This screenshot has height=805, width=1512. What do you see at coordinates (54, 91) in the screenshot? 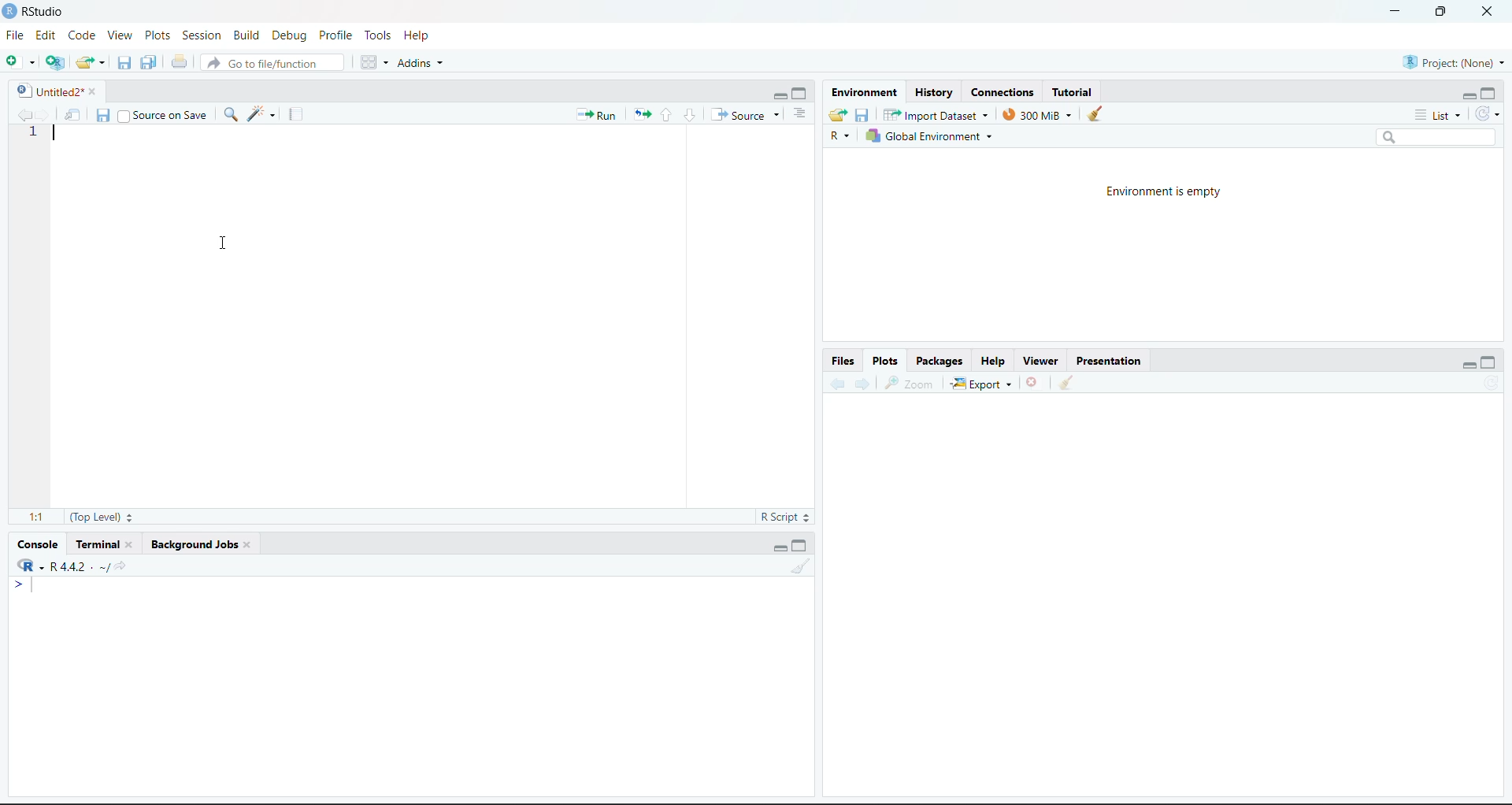
I see ` Untitled2` at bounding box center [54, 91].